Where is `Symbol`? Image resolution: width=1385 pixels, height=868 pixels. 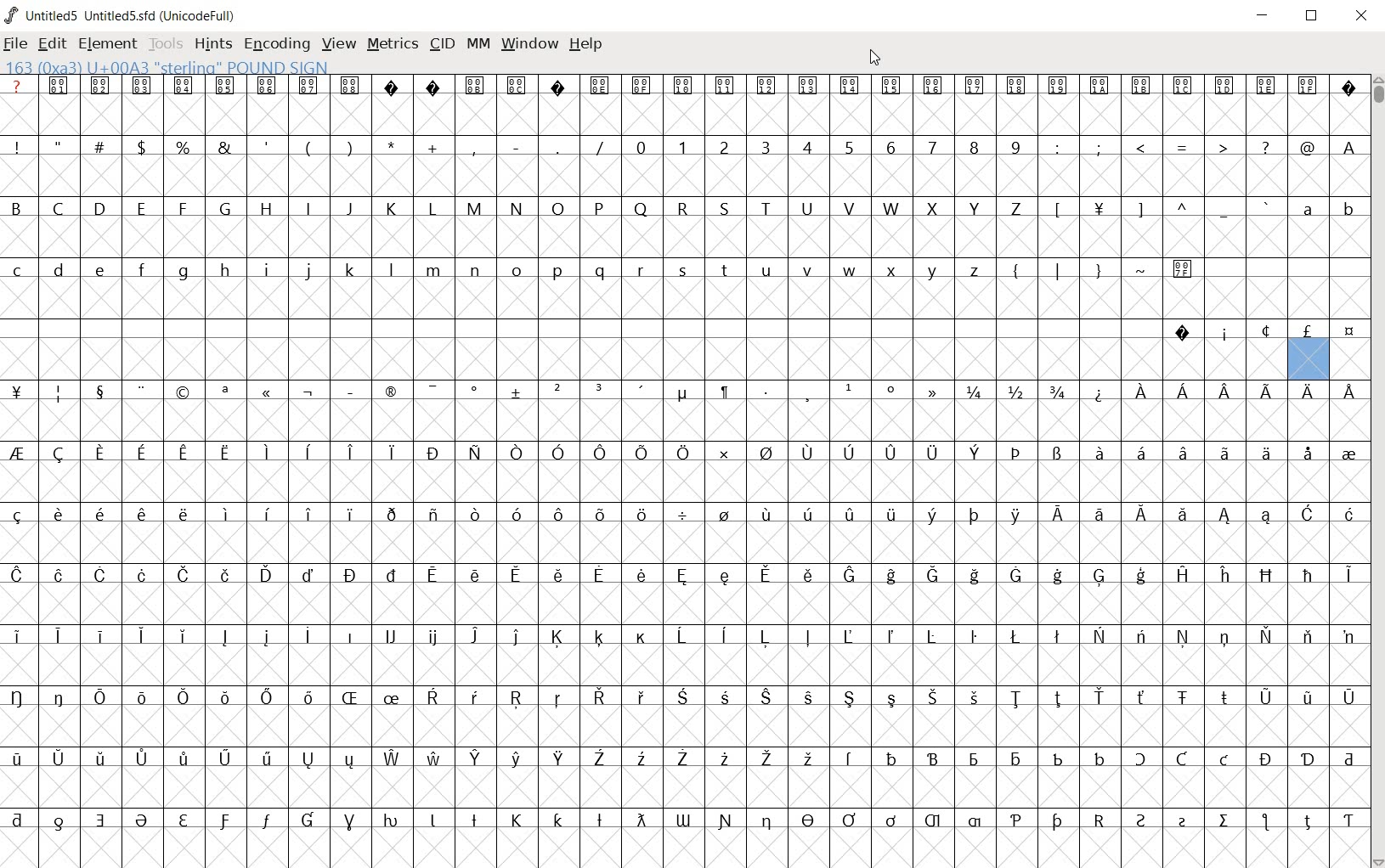 Symbol is located at coordinates (307, 821).